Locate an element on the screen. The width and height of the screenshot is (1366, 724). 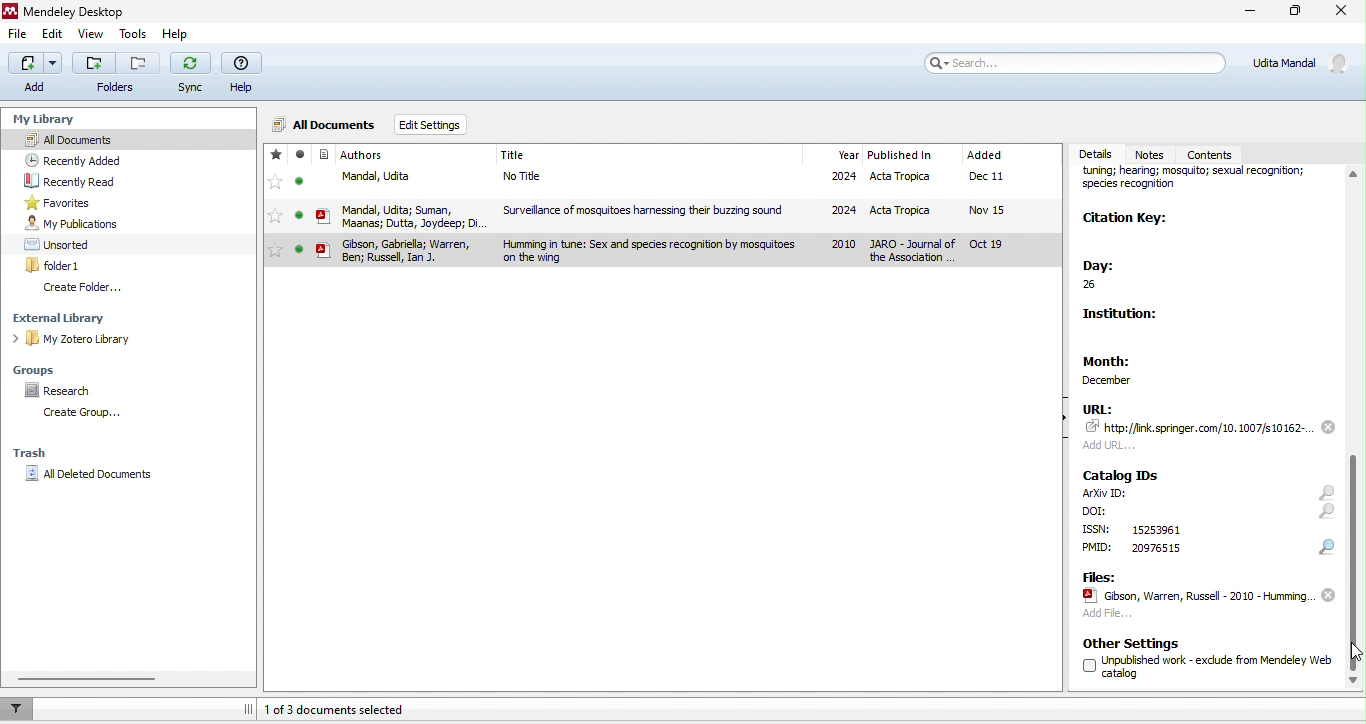
help is located at coordinates (183, 36).